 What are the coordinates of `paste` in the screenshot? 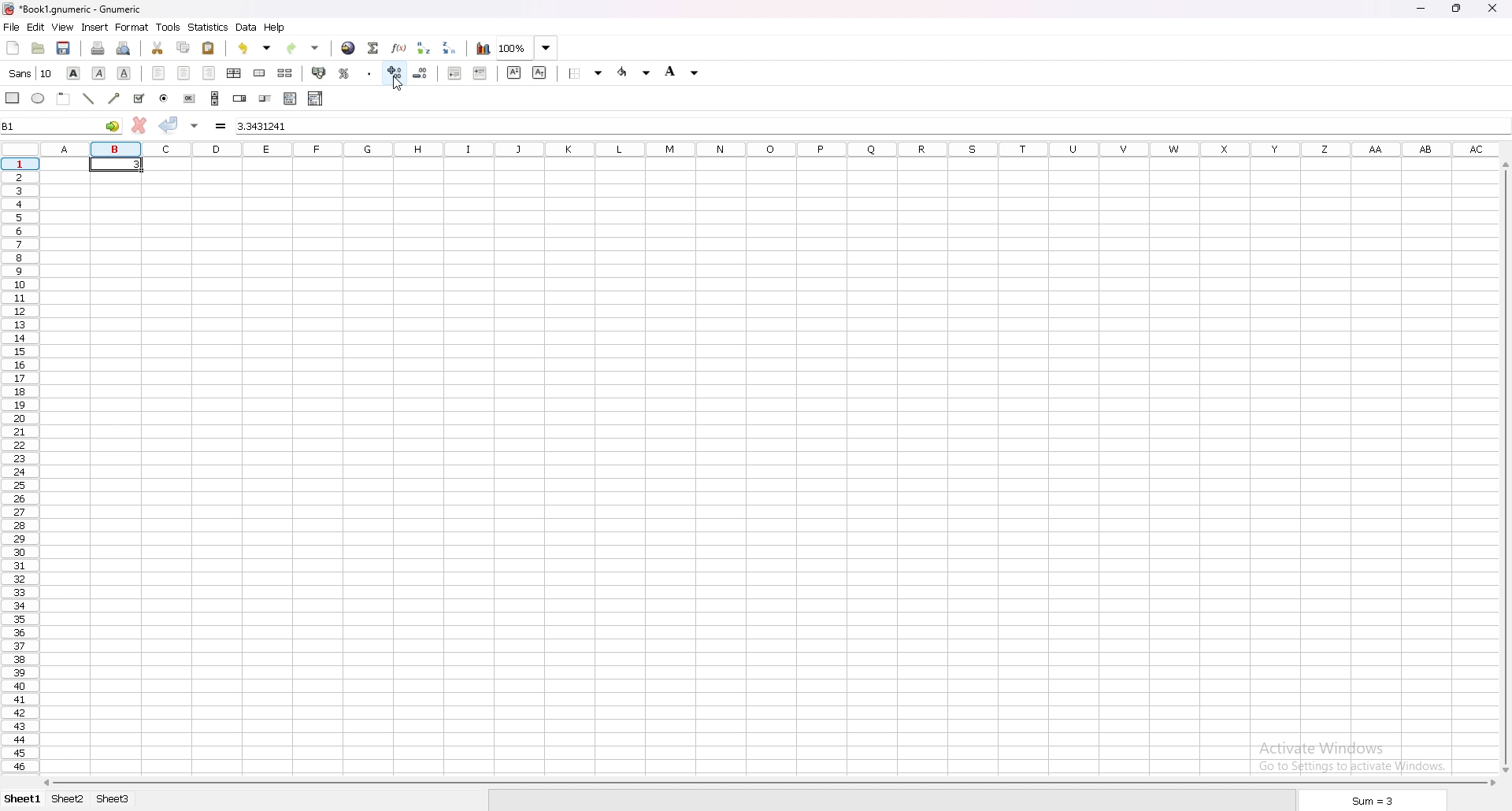 It's located at (209, 49).